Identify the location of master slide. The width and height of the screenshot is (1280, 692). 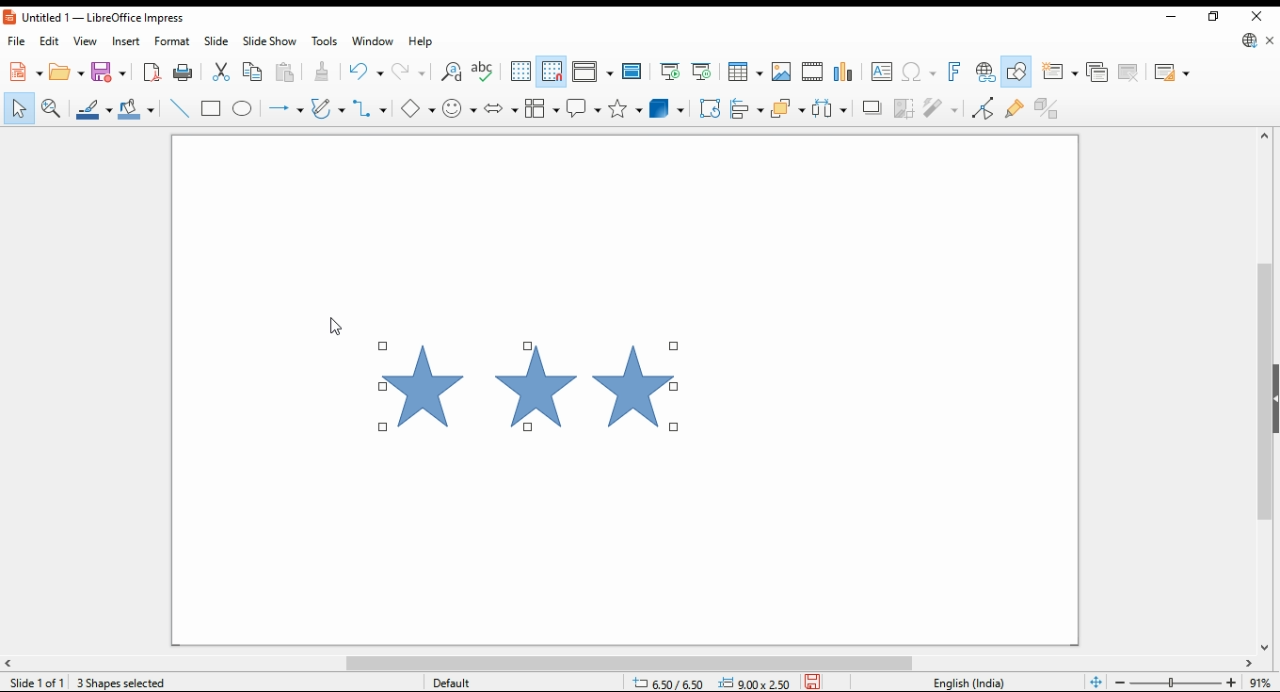
(633, 71).